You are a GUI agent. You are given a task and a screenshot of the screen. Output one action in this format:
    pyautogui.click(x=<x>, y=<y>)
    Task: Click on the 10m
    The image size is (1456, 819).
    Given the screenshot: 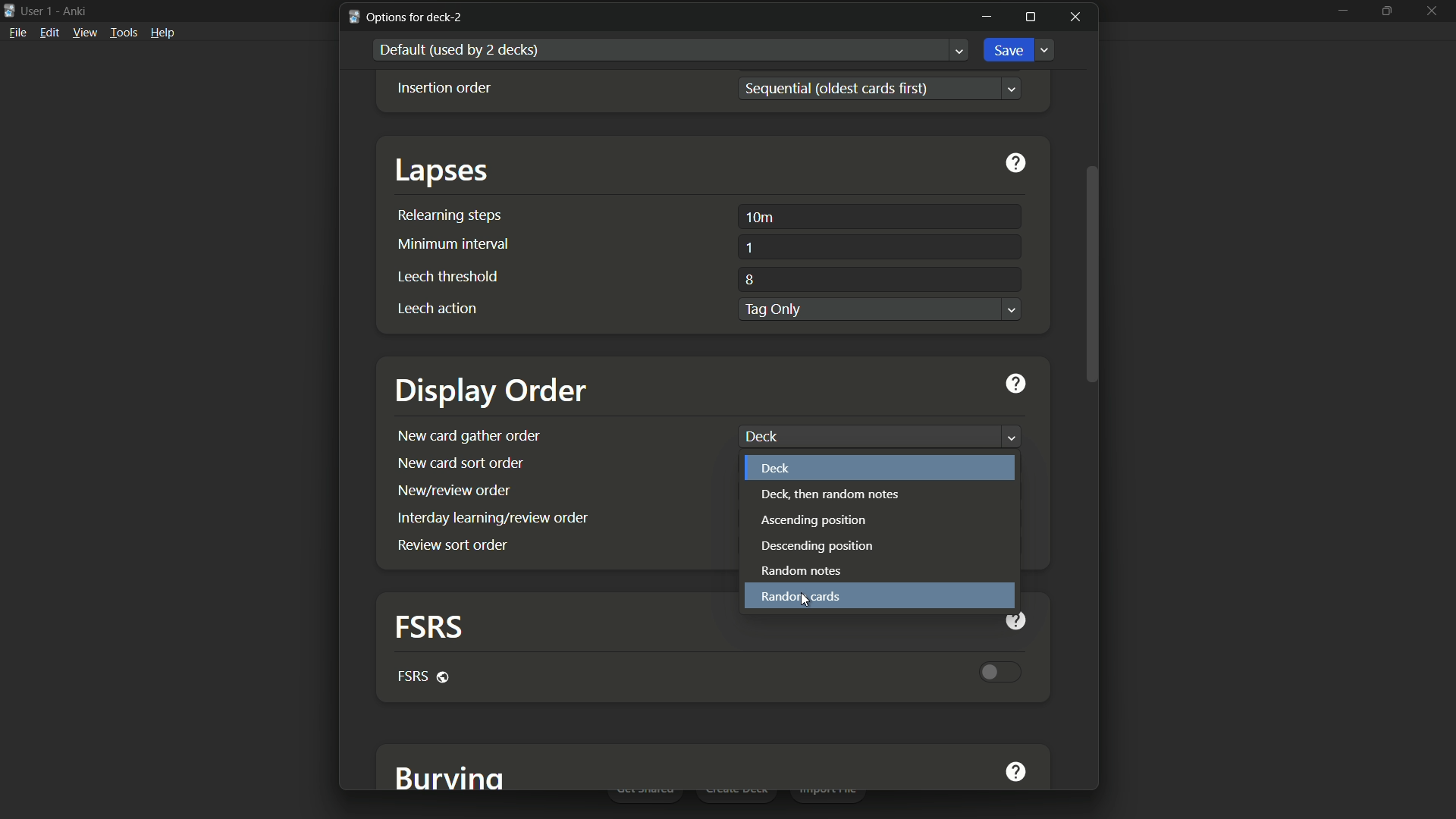 What is the action you would take?
    pyautogui.click(x=761, y=217)
    